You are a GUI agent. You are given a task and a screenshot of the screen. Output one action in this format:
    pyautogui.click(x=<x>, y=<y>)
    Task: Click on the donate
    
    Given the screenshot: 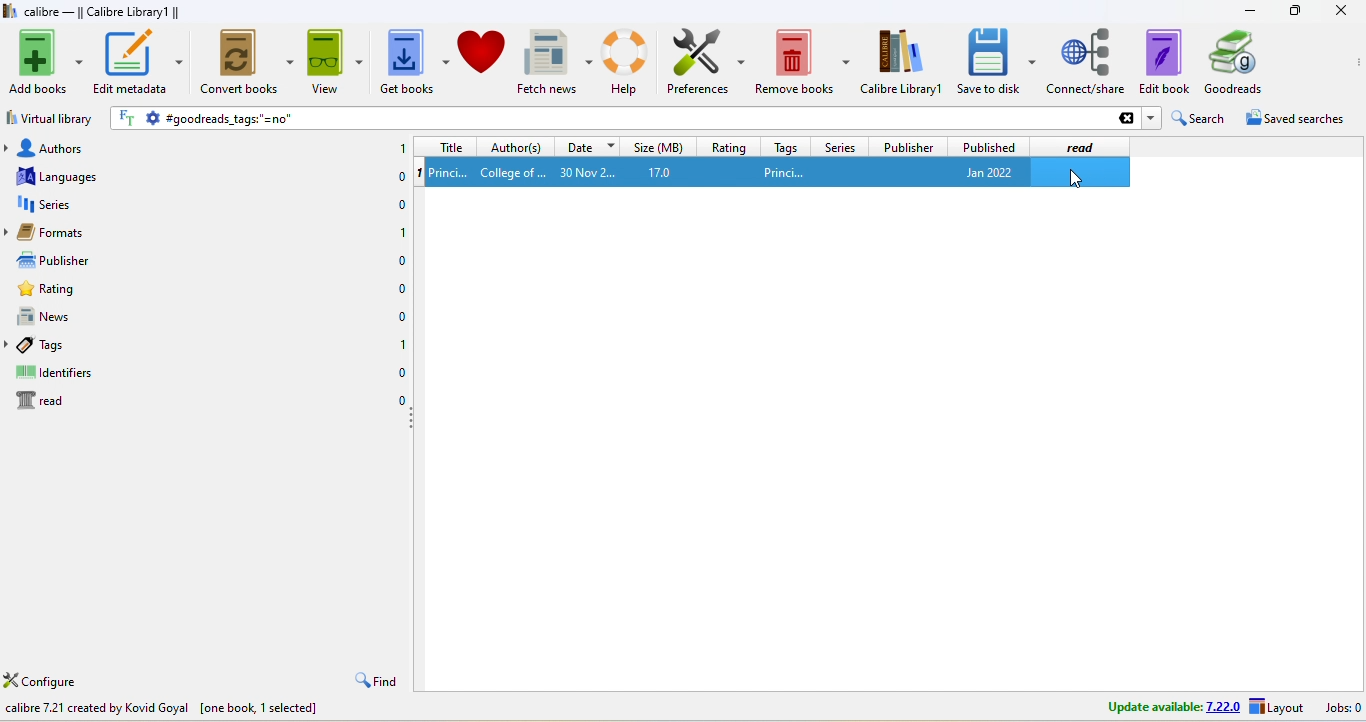 What is the action you would take?
    pyautogui.click(x=484, y=60)
    